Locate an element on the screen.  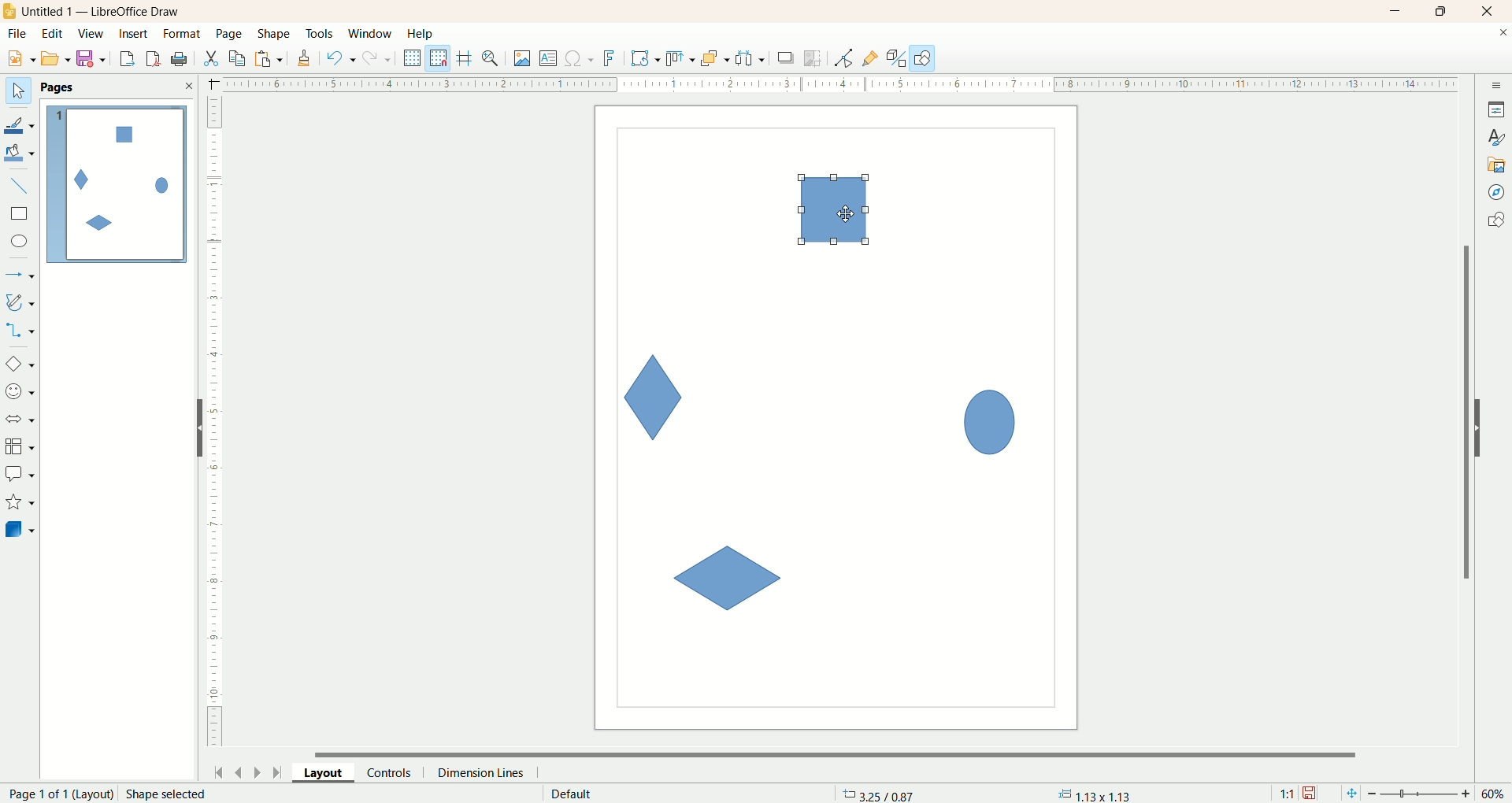
scale bar is located at coordinates (829, 83).